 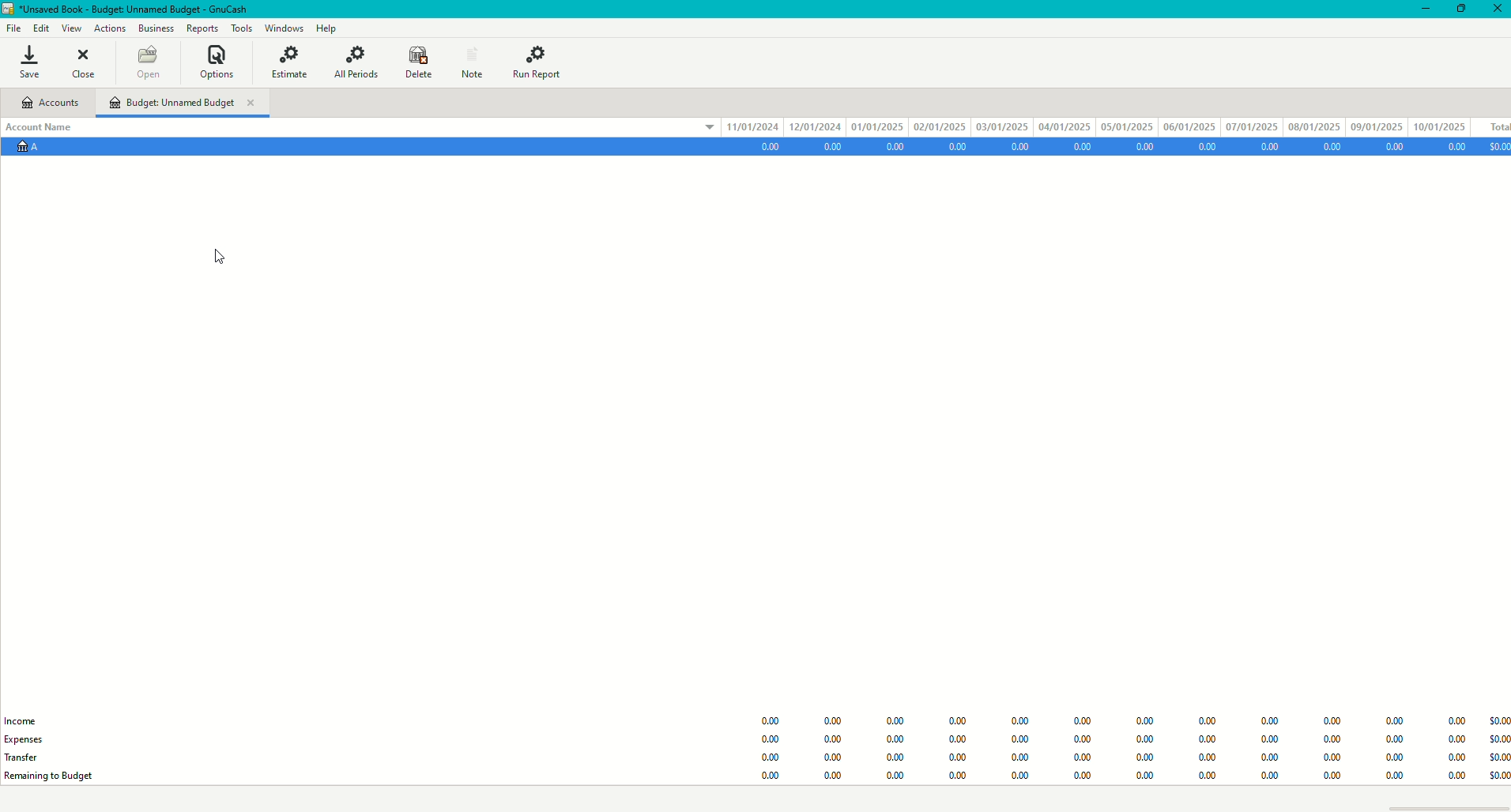 What do you see at coordinates (14, 26) in the screenshot?
I see `File` at bounding box center [14, 26].